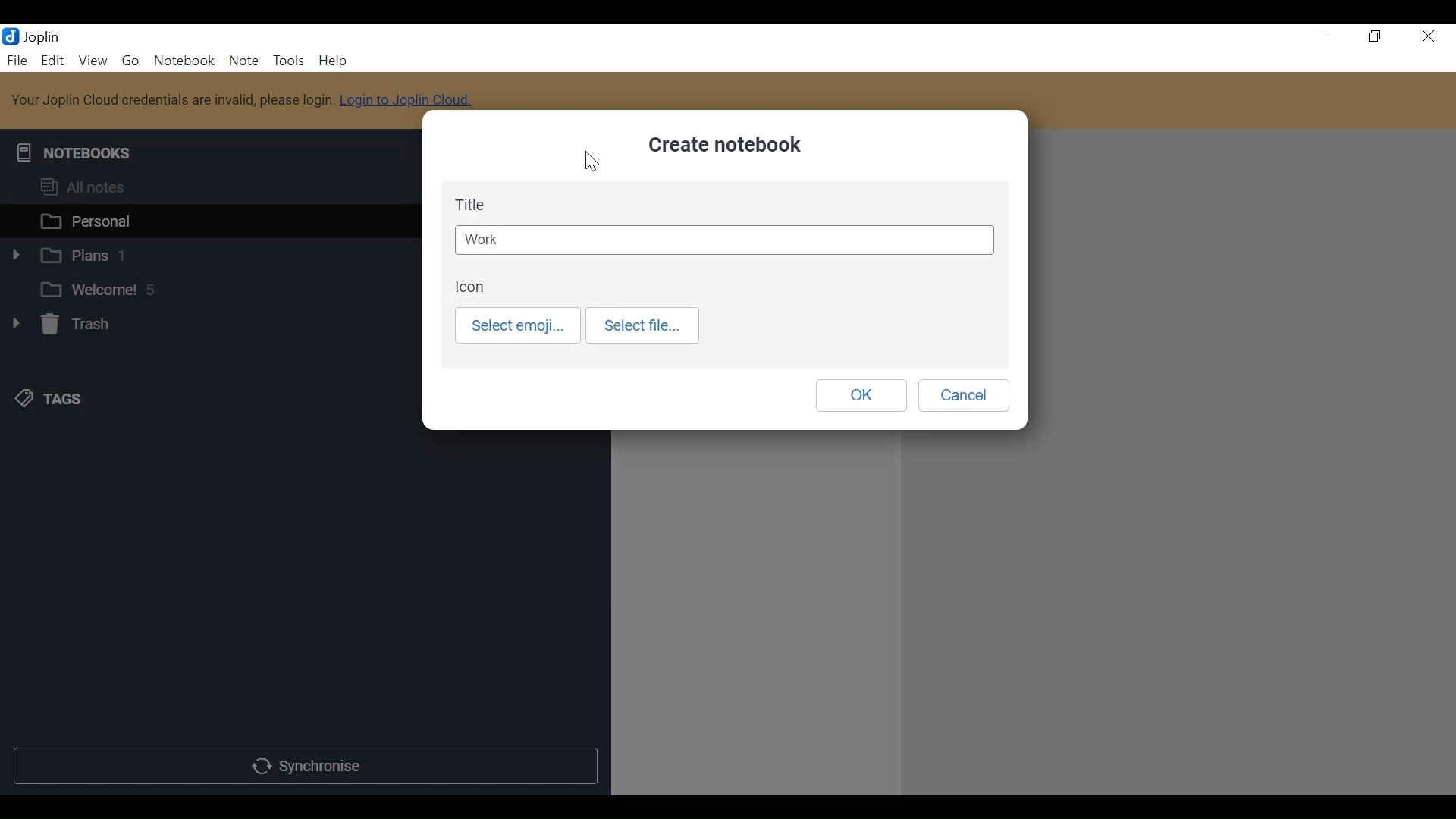  I want to click on OK, so click(859, 394).